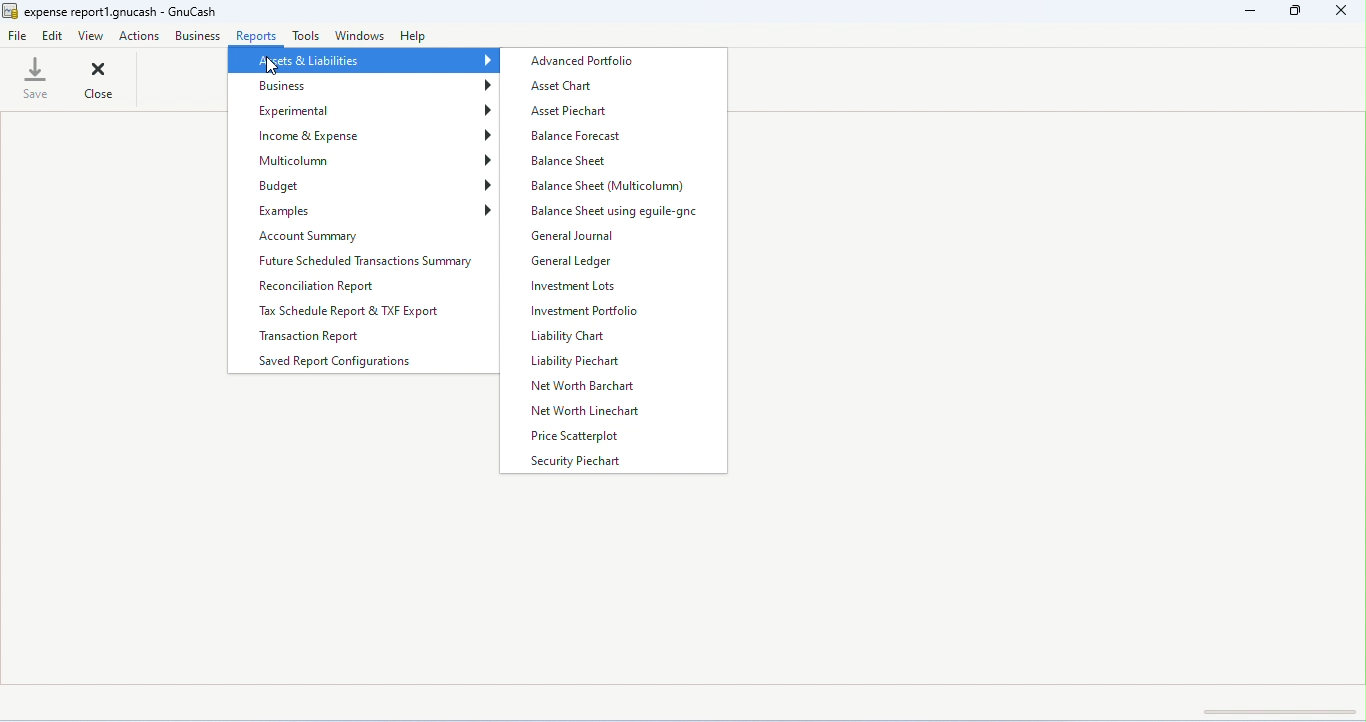  What do you see at coordinates (364, 260) in the screenshot?
I see `future scheduled transactions summary` at bounding box center [364, 260].